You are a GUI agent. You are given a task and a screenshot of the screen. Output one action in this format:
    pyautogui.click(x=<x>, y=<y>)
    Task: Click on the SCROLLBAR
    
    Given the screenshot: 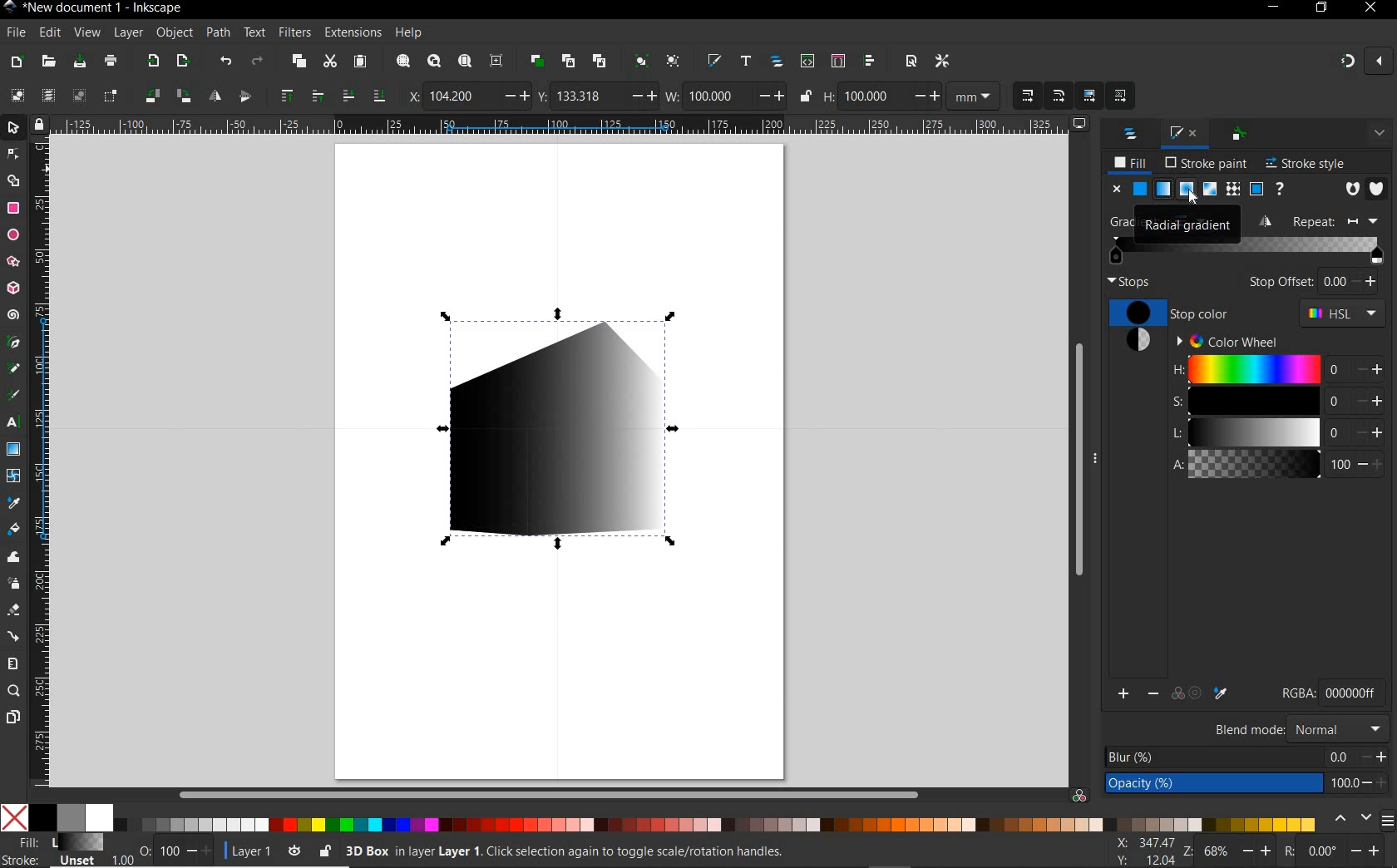 What is the action you would take?
    pyautogui.click(x=1076, y=461)
    